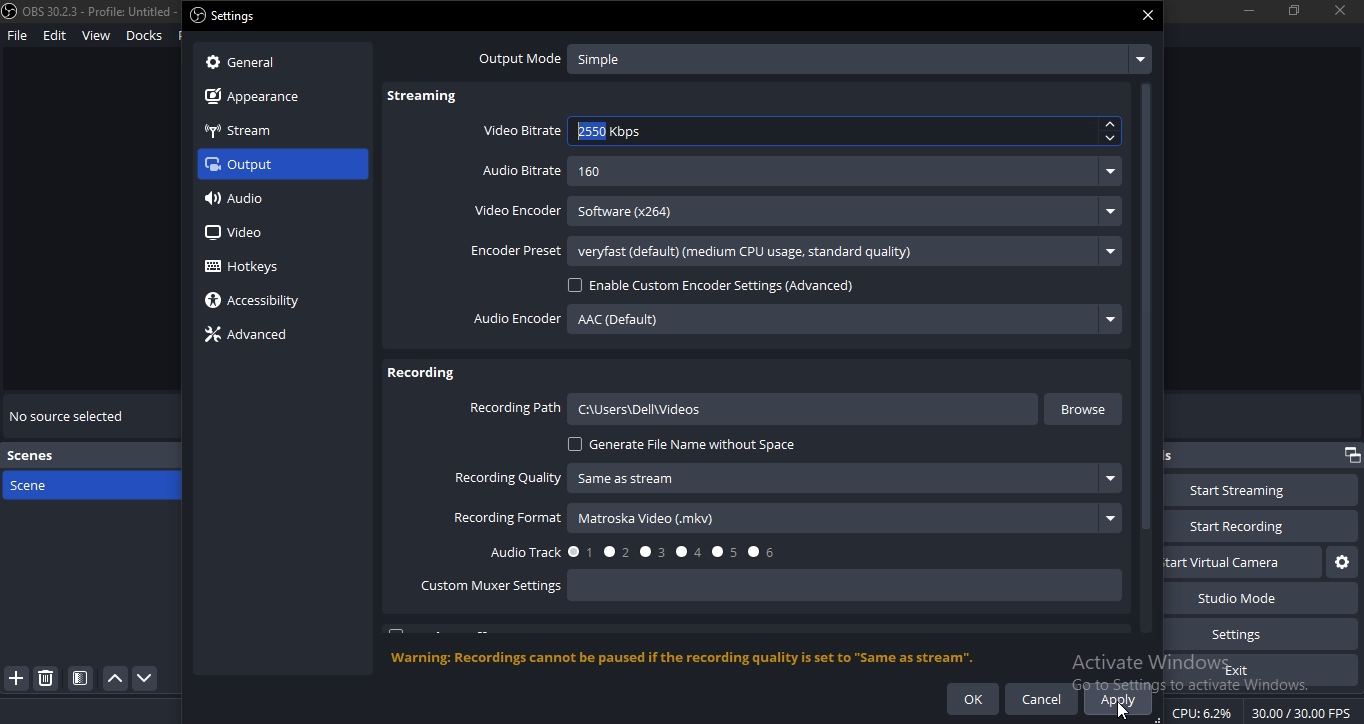 The image size is (1364, 724). I want to click on down, so click(1109, 139).